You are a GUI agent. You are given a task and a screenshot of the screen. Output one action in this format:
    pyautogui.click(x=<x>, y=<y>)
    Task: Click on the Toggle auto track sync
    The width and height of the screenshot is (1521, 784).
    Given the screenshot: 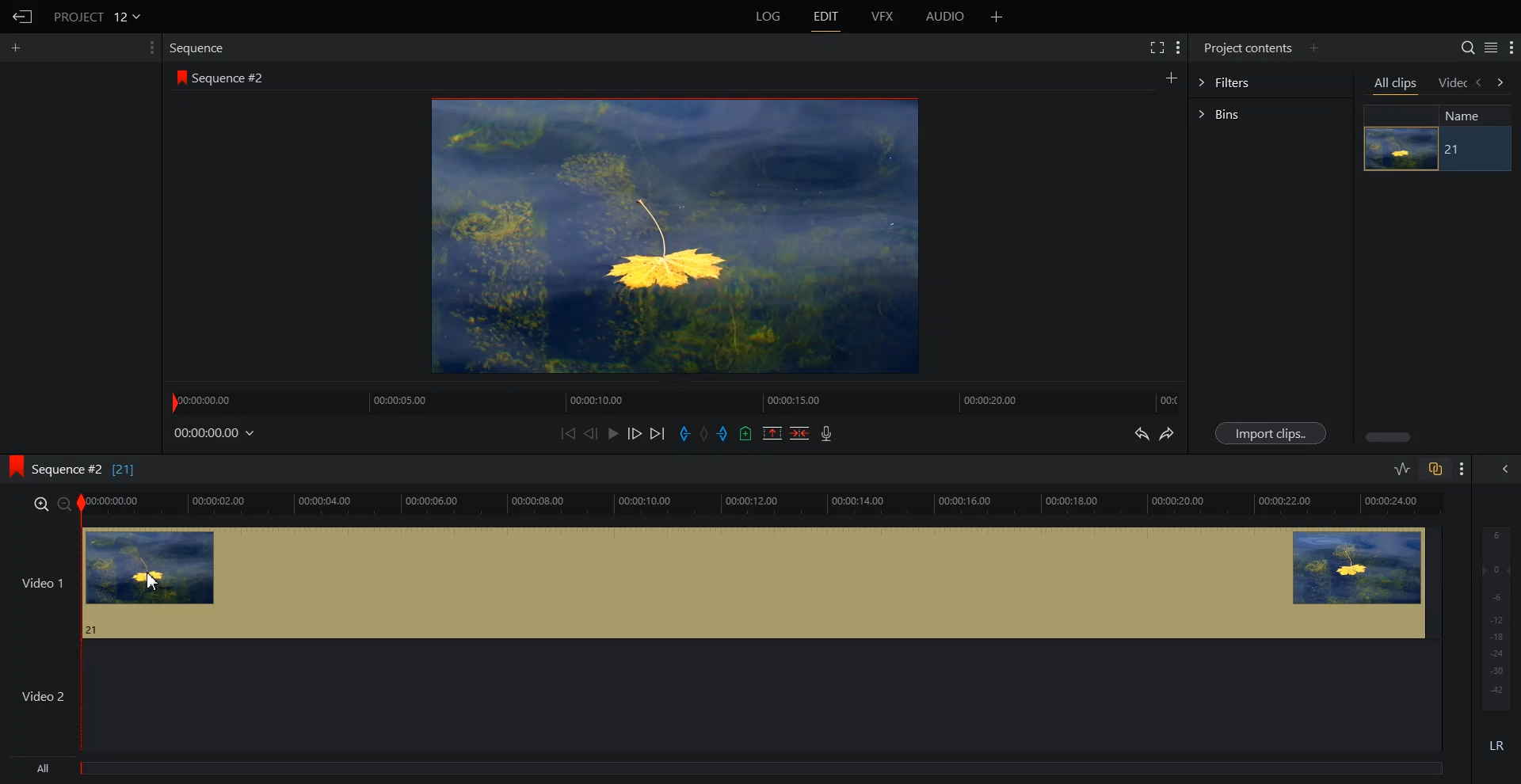 What is the action you would take?
    pyautogui.click(x=1435, y=469)
    